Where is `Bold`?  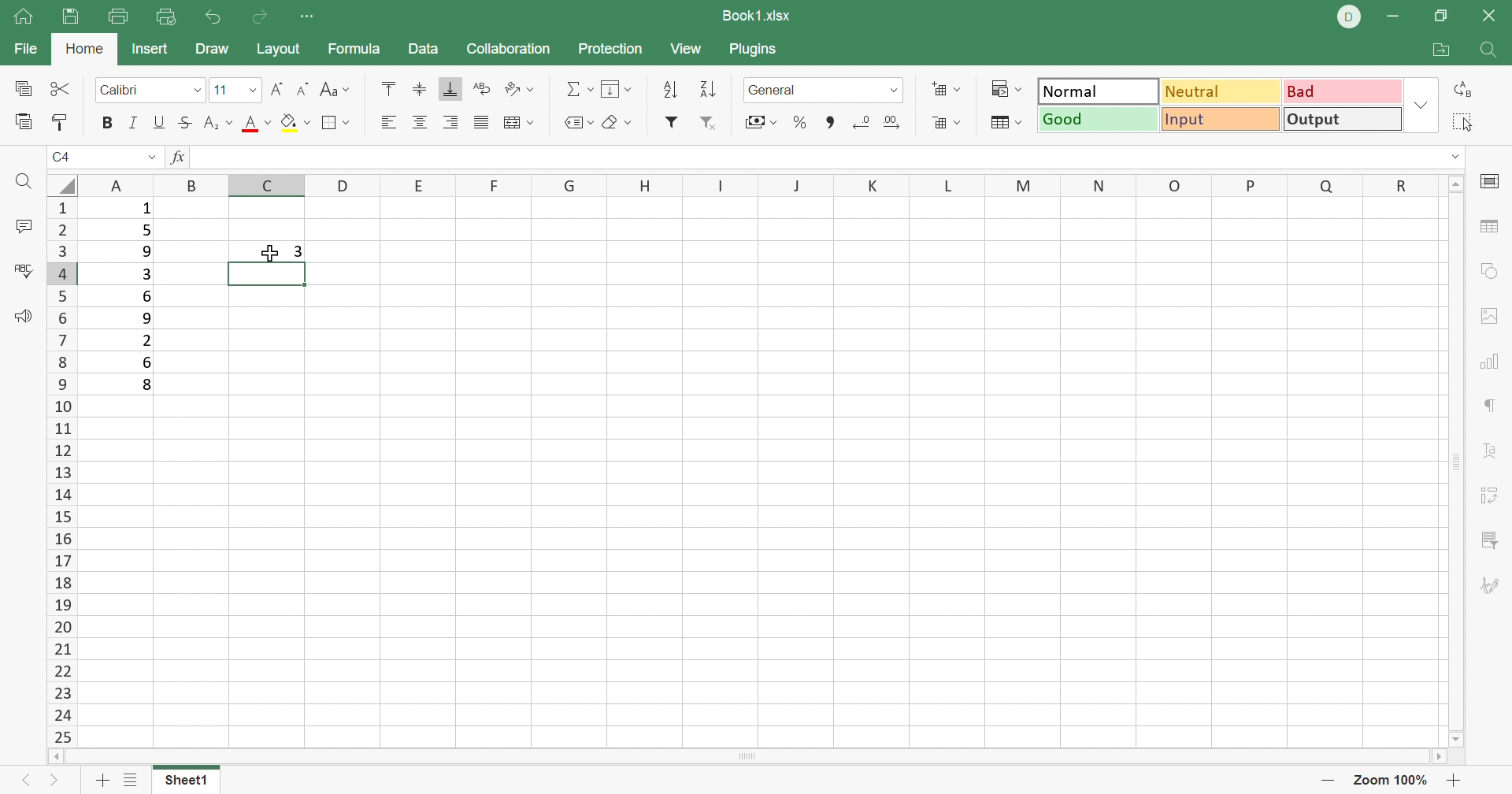
Bold is located at coordinates (108, 123).